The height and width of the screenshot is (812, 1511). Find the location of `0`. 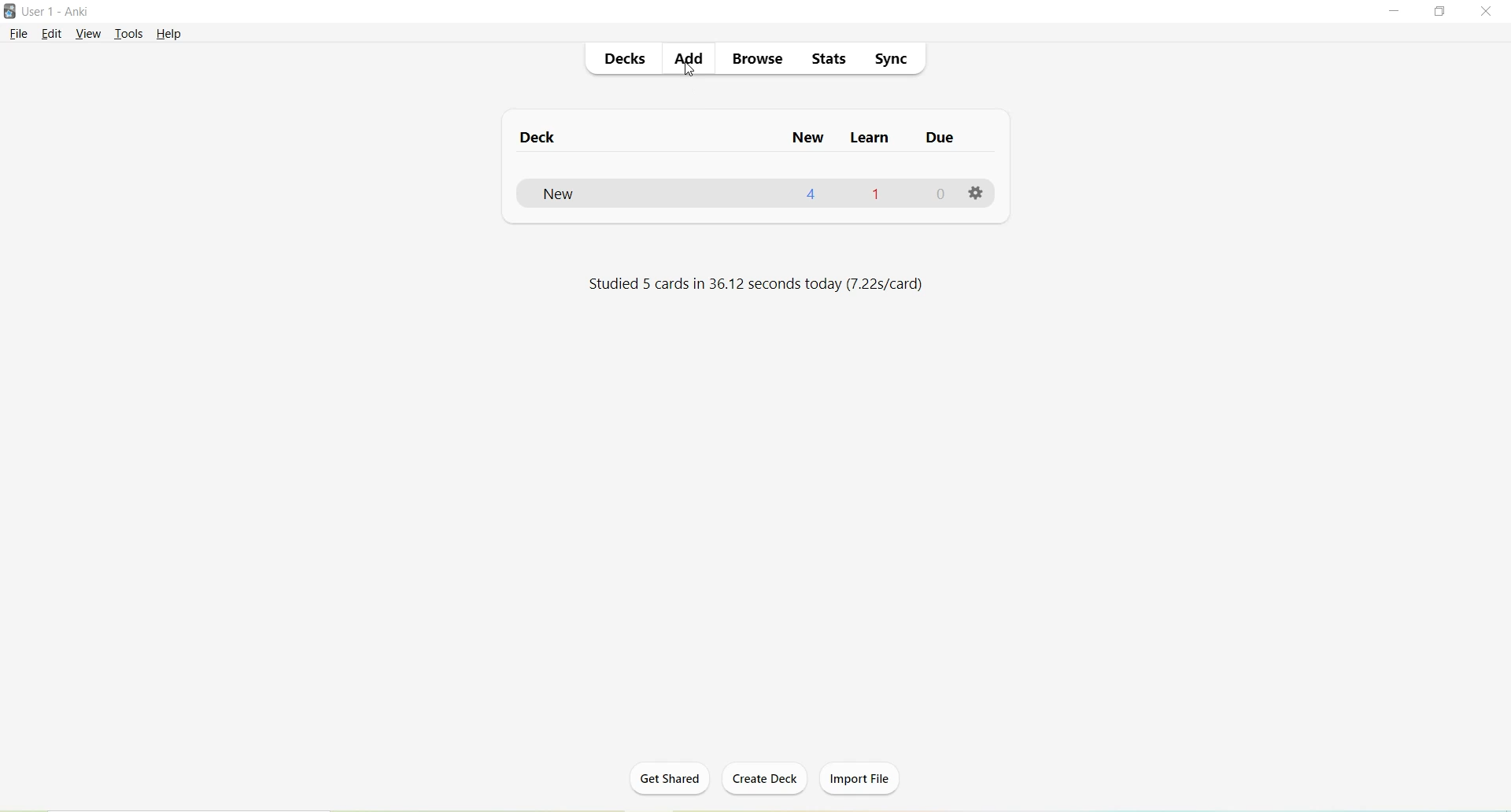

0 is located at coordinates (940, 194).